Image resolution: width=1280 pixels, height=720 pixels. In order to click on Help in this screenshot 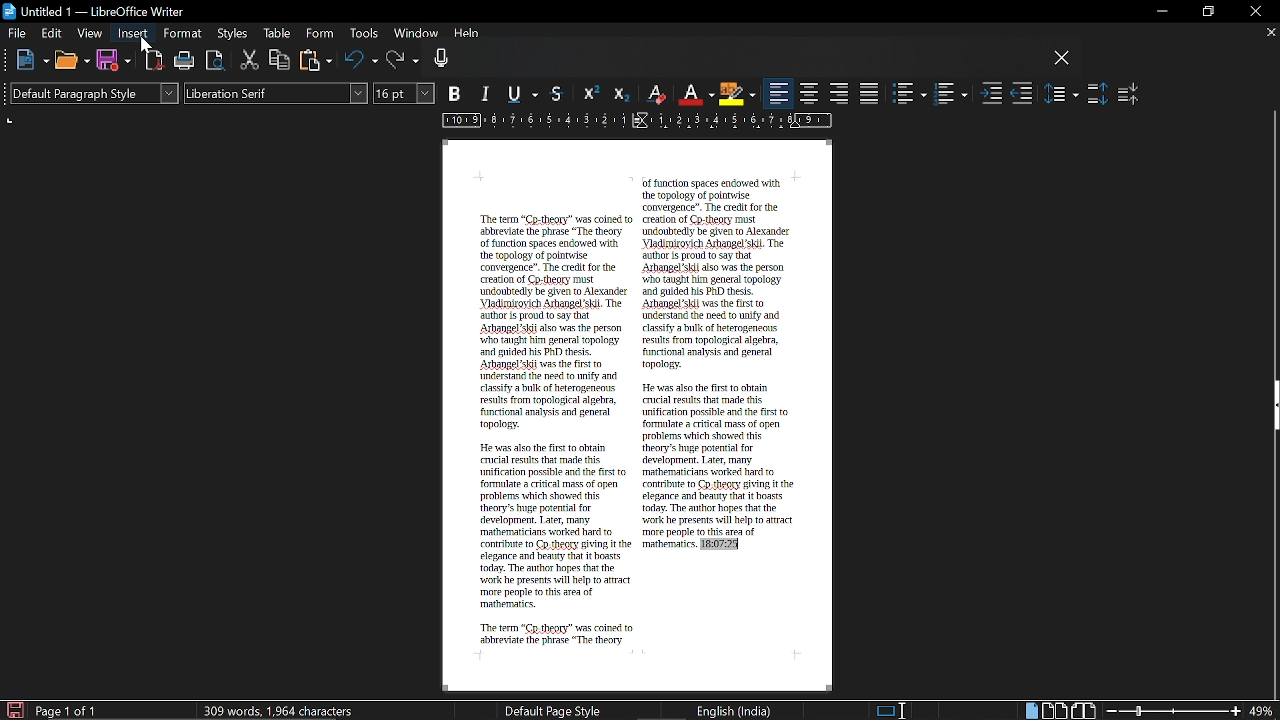, I will do `click(468, 36)`.